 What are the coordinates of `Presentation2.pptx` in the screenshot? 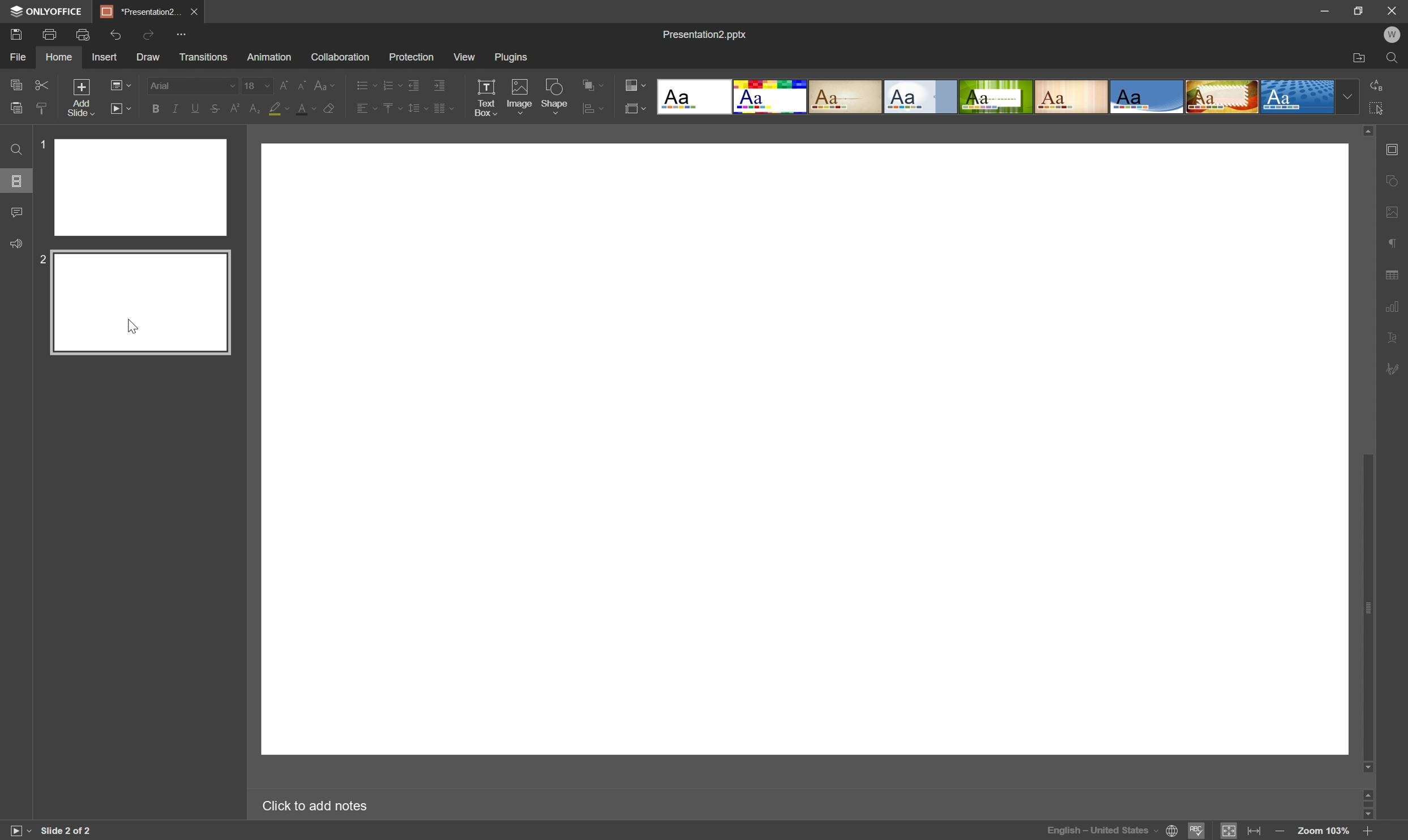 It's located at (708, 36).